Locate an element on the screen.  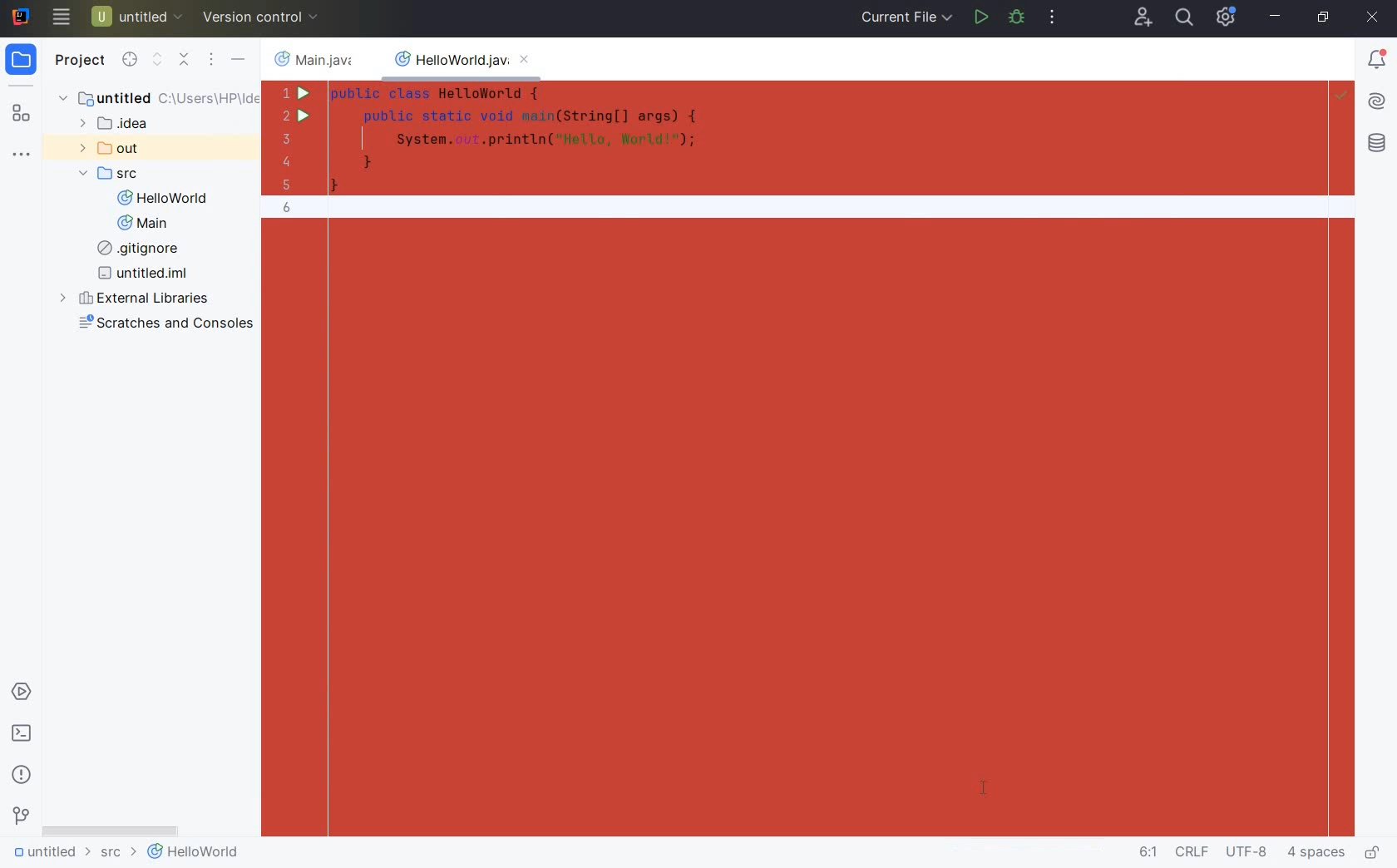
minimize is located at coordinates (1277, 17).